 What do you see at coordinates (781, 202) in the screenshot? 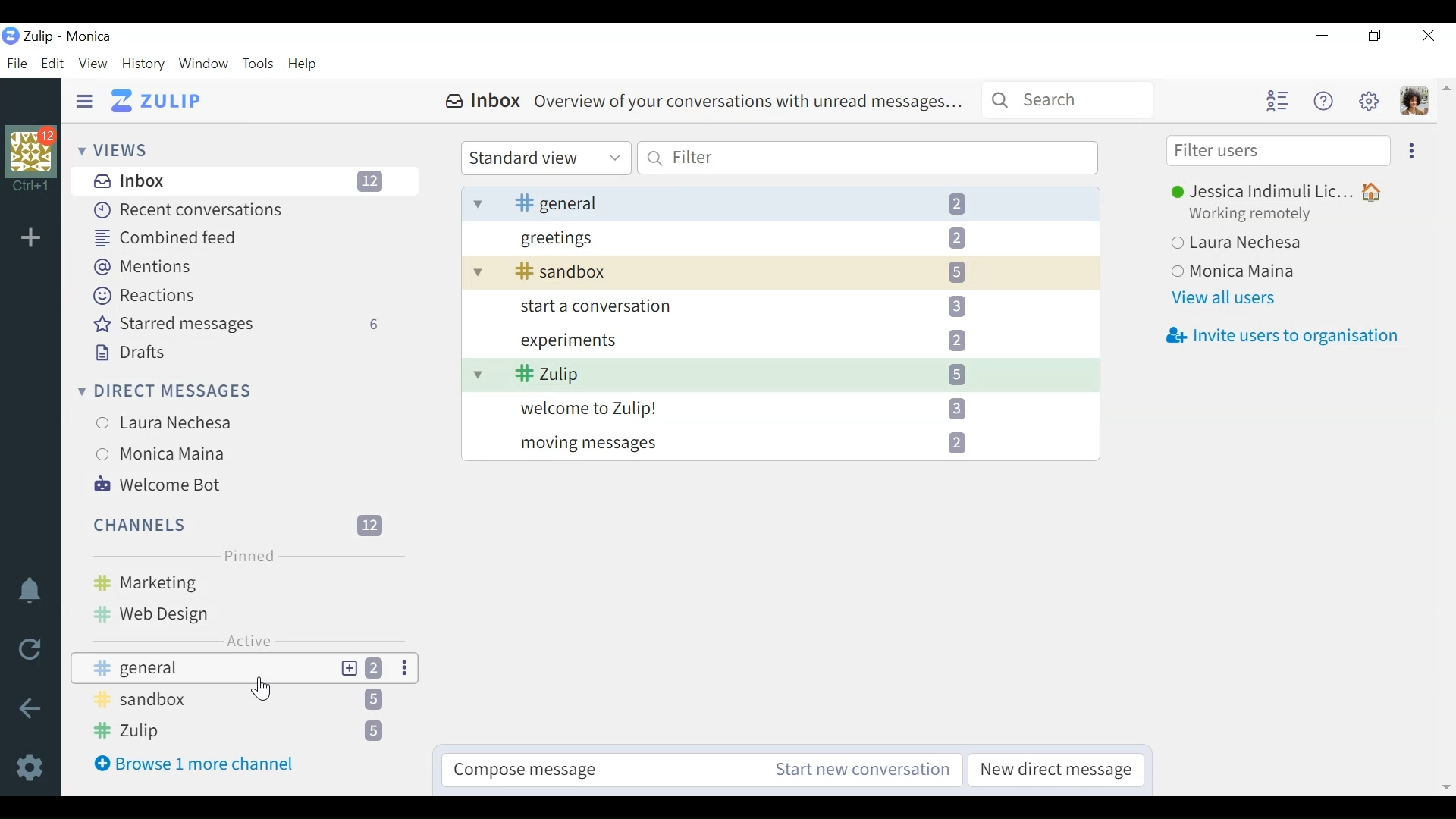
I see `General 2` at bounding box center [781, 202].